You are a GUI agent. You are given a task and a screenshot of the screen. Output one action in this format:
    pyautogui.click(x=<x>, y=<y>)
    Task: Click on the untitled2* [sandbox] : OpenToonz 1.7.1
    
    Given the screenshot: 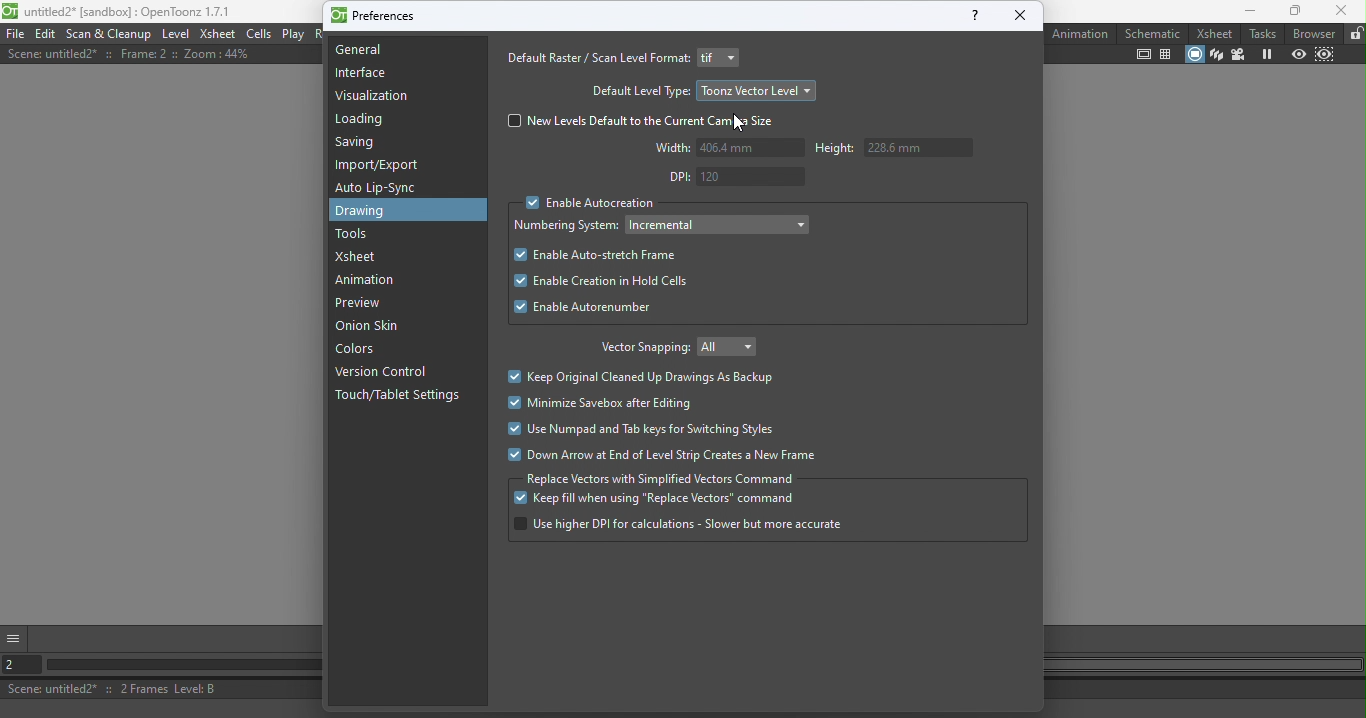 What is the action you would take?
    pyautogui.click(x=118, y=11)
    